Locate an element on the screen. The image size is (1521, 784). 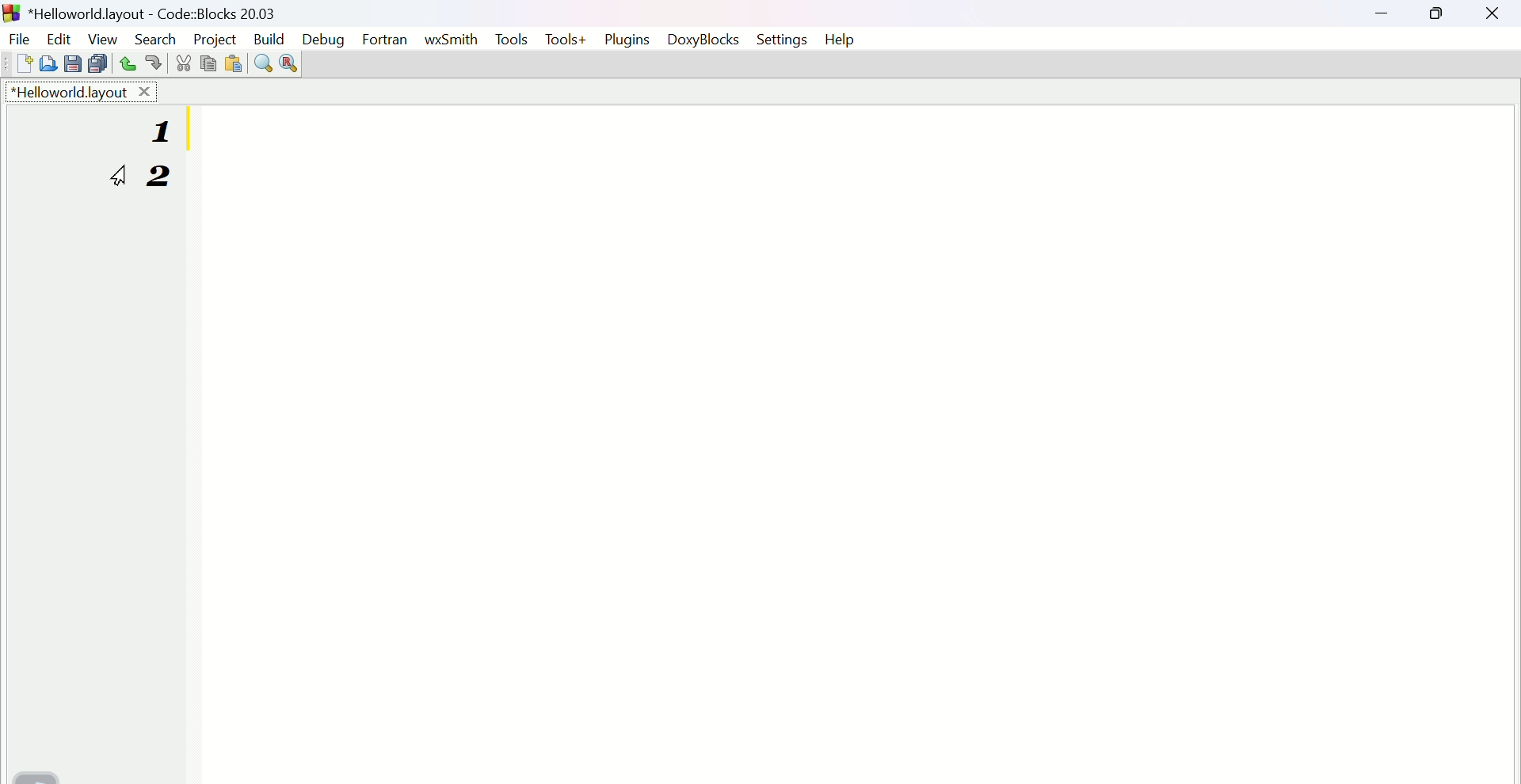
HelloWorld.layout is located at coordinates (83, 91).